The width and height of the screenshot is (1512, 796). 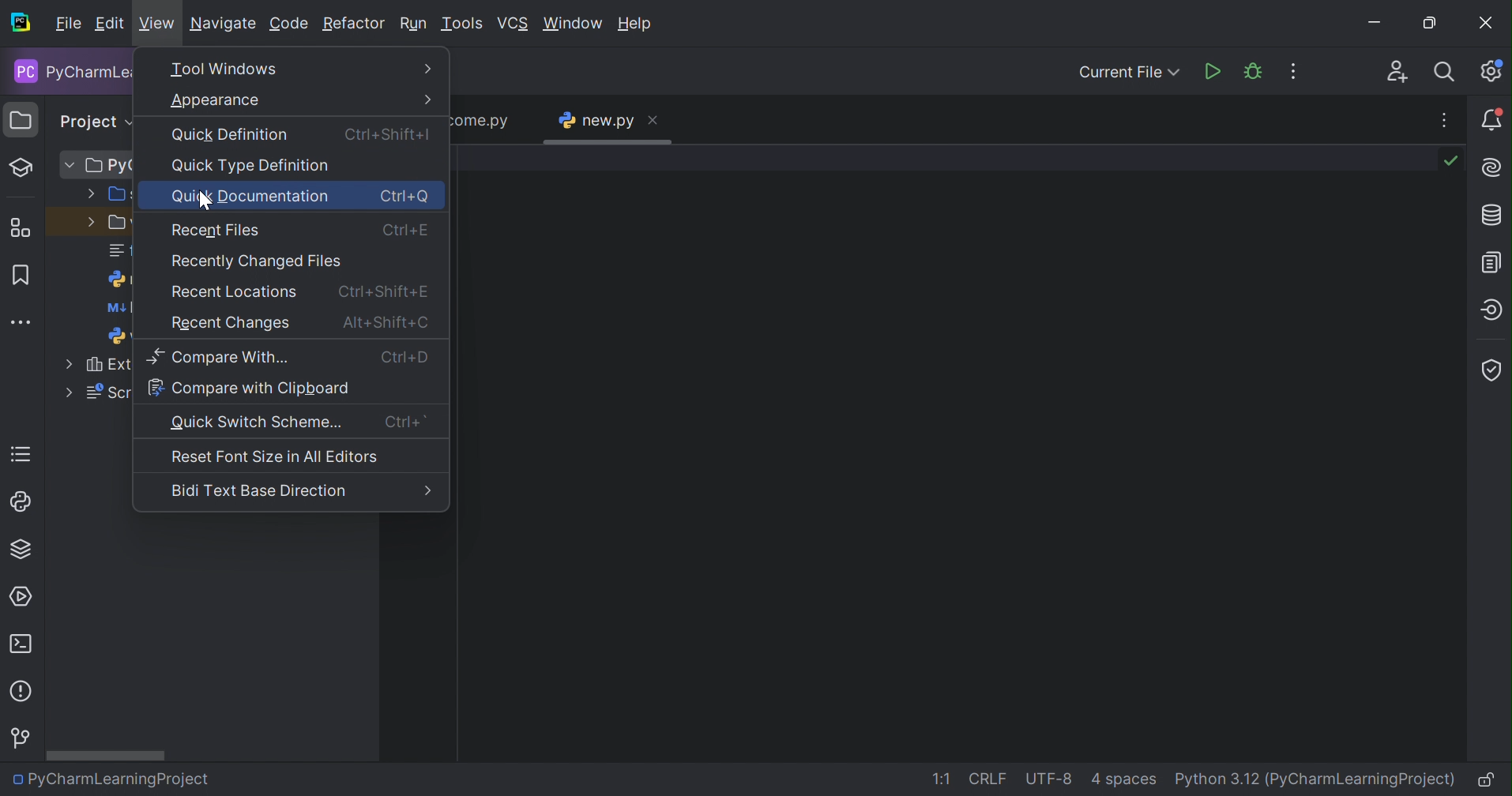 What do you see at coordinates (109, 779) in the screenshot?
I see `PyCharmLearningProject` at bounding box center [109, 779].